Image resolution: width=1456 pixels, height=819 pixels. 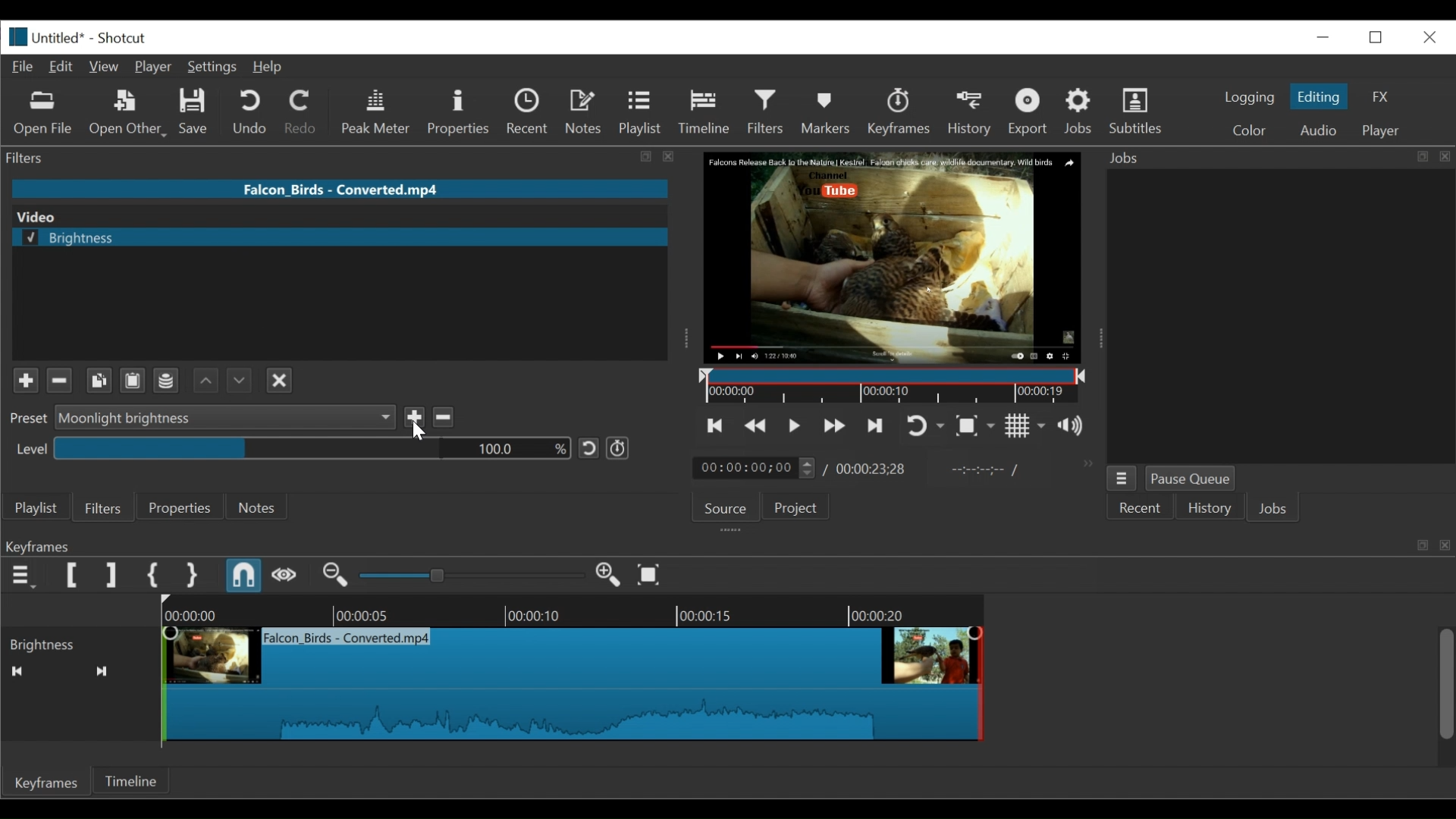 I want to click on Timeline, so click(x=706, y=114).